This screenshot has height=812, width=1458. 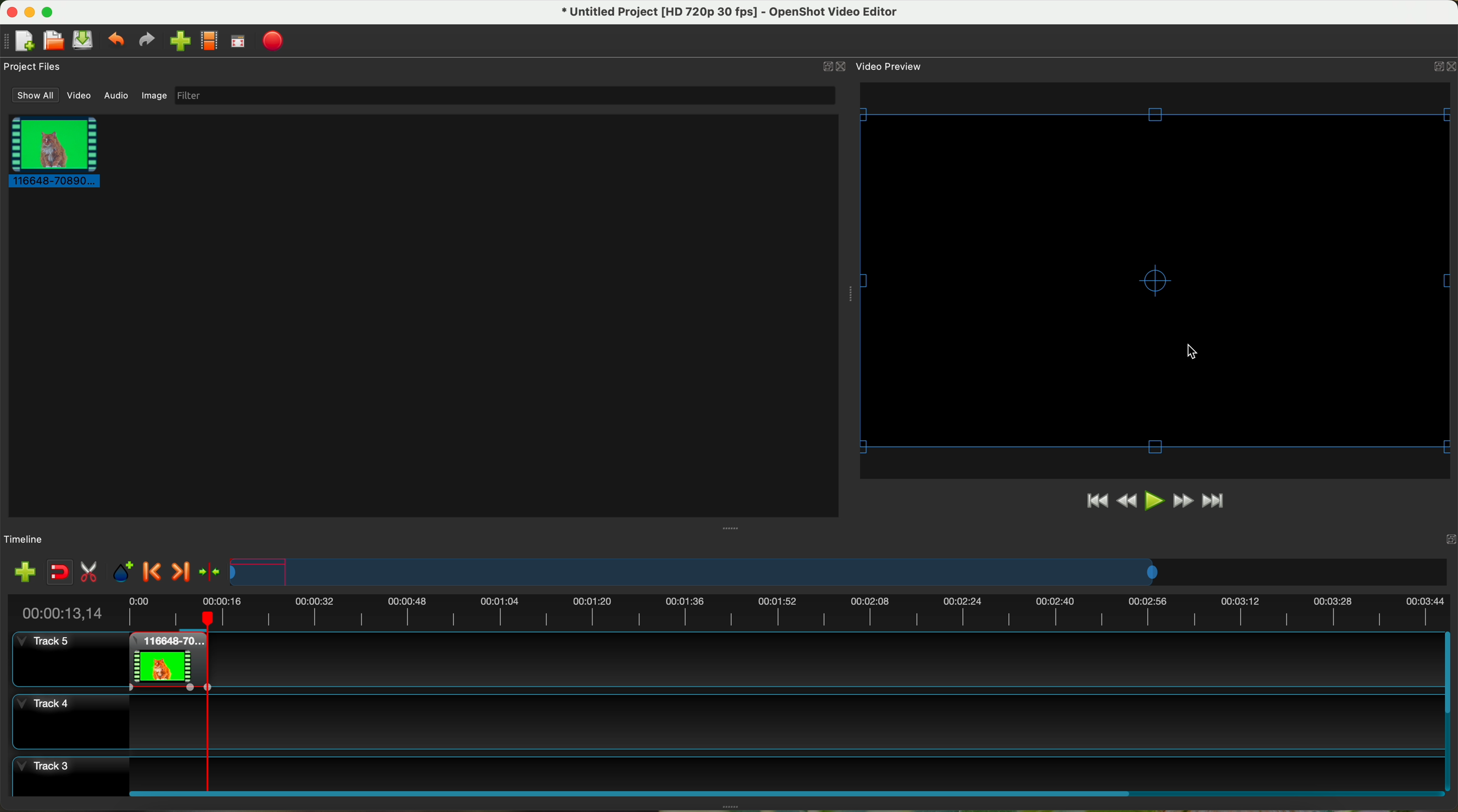 I want to click on full screen, so click(x=238, y=41).